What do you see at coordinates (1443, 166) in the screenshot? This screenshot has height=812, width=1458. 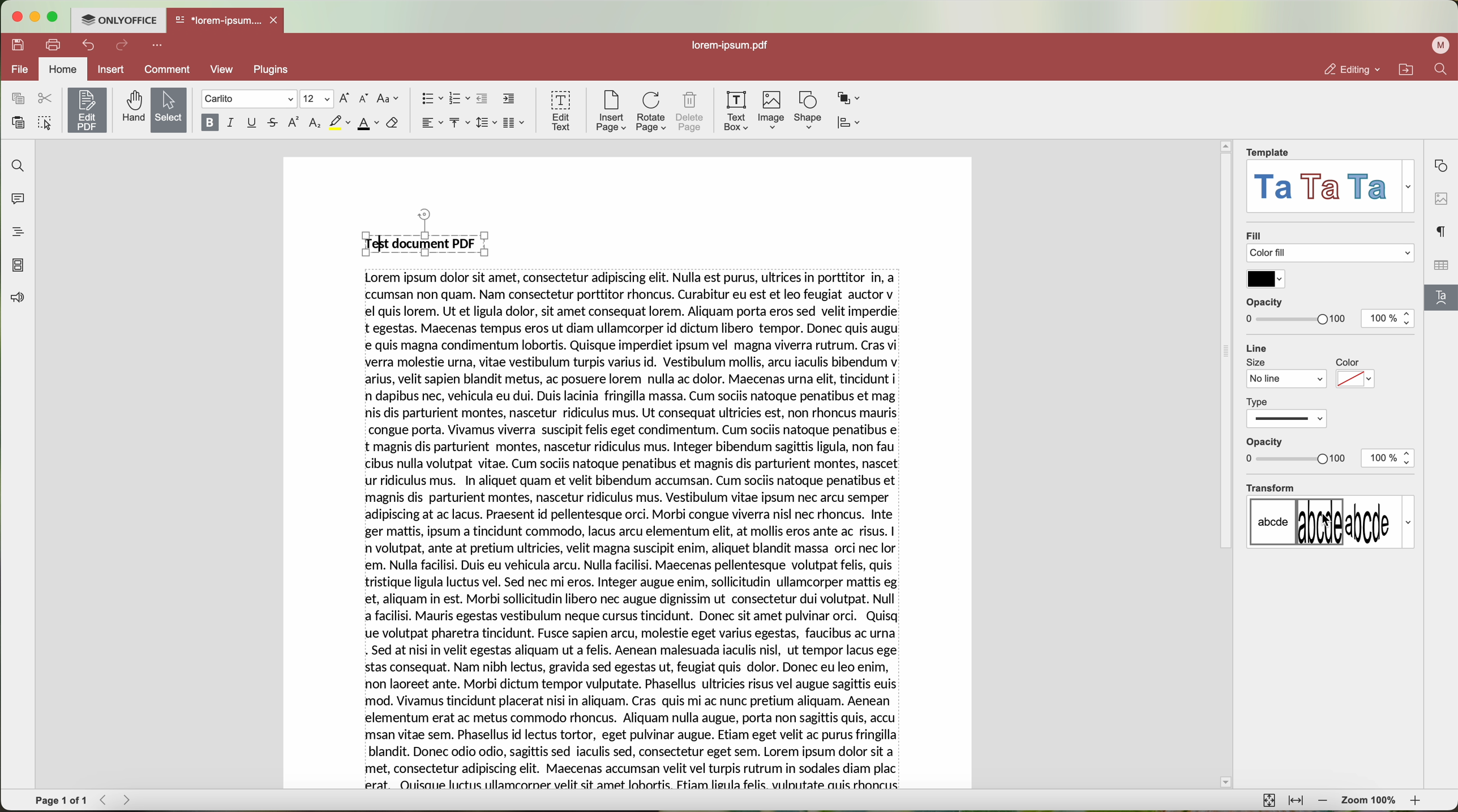 I see `shape settings` at bounding box center [1443, 166].